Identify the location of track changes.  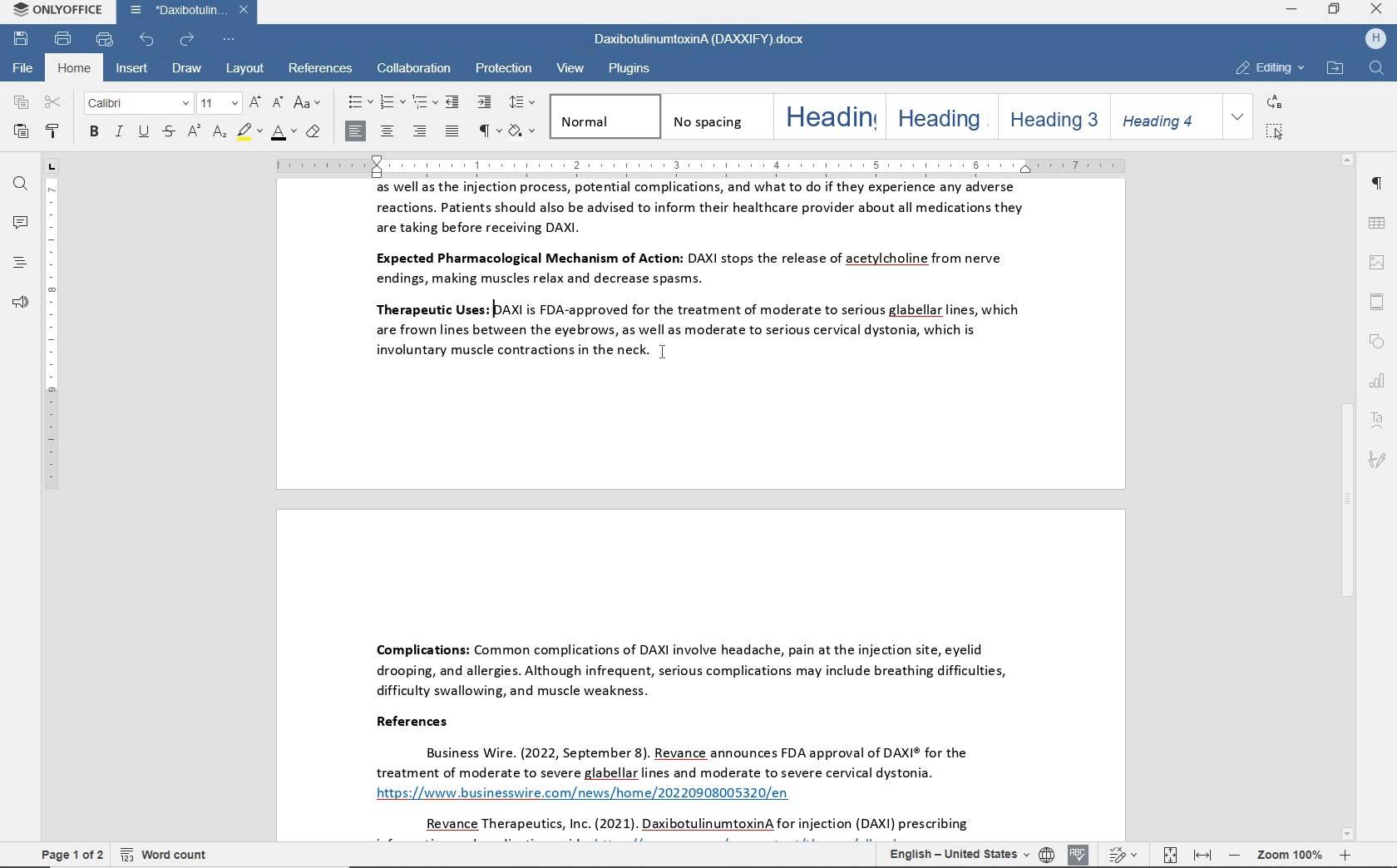
(1126, 854).